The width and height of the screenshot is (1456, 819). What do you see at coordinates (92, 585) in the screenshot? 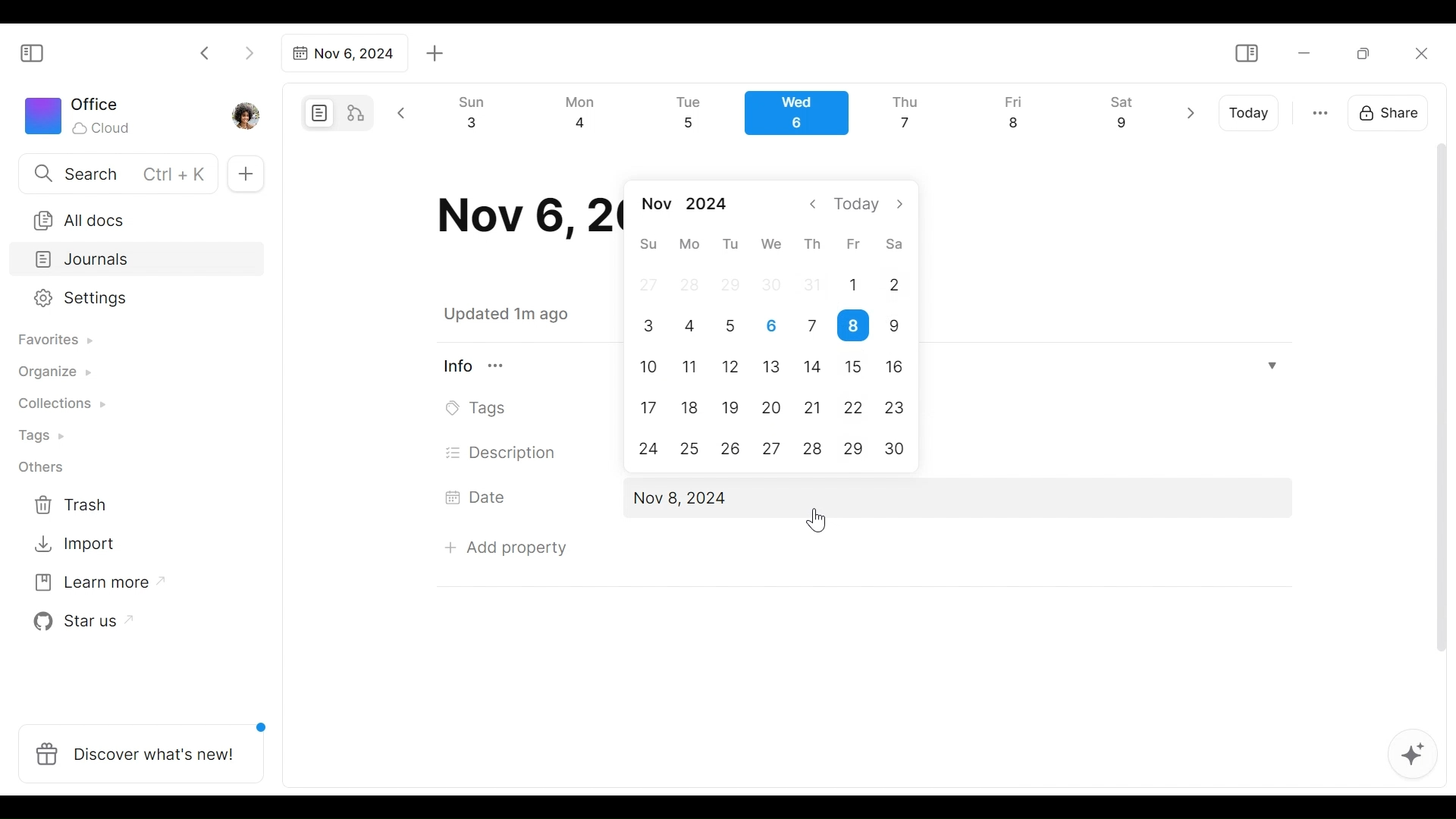
I see `Learn more` at bounding box center [92, 585].